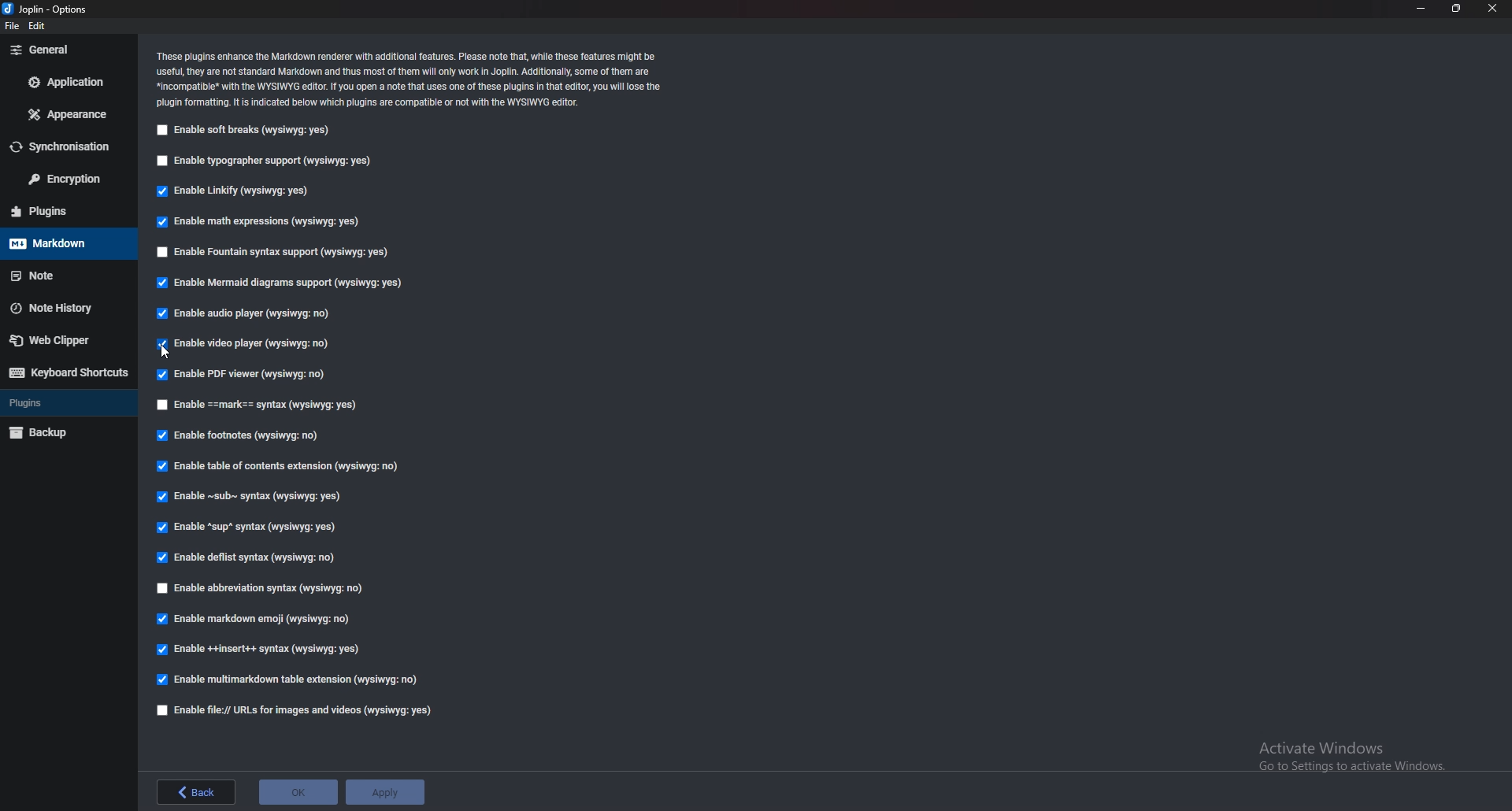 This screenshot has height=811, width=1512. What do you see at coordinates (251, 620) in the screenshot?
I see `enable markdown emoji (wysiqyg:no)` at bounding box center [251, 620].